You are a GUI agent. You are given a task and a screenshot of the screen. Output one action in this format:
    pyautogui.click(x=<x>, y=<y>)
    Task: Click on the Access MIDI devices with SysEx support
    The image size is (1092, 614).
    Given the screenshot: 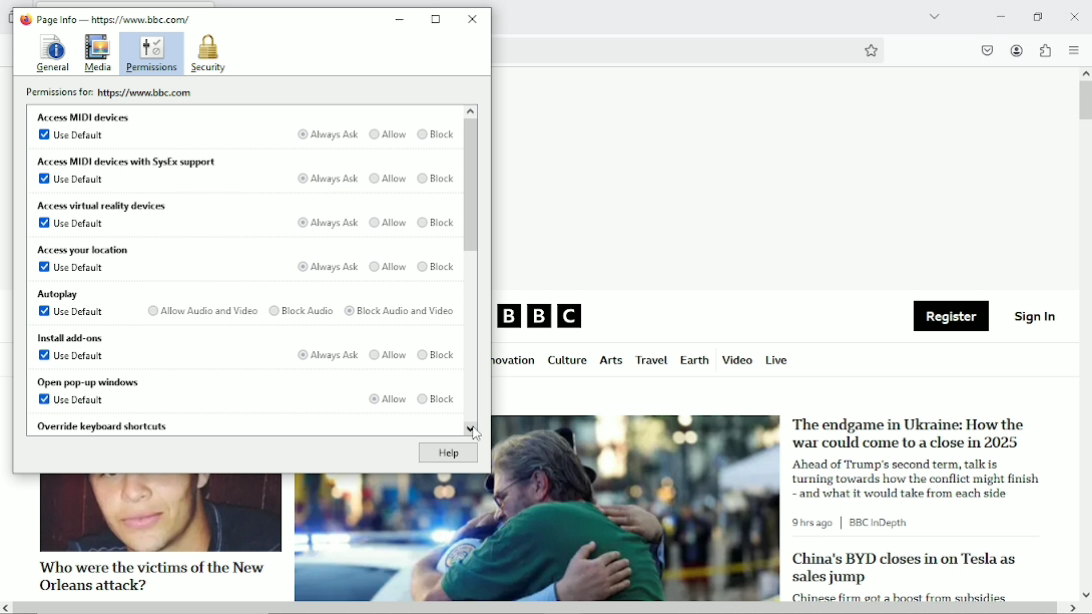 What is the action you would take?
    pyautogui.click(x=137, y=161)
    